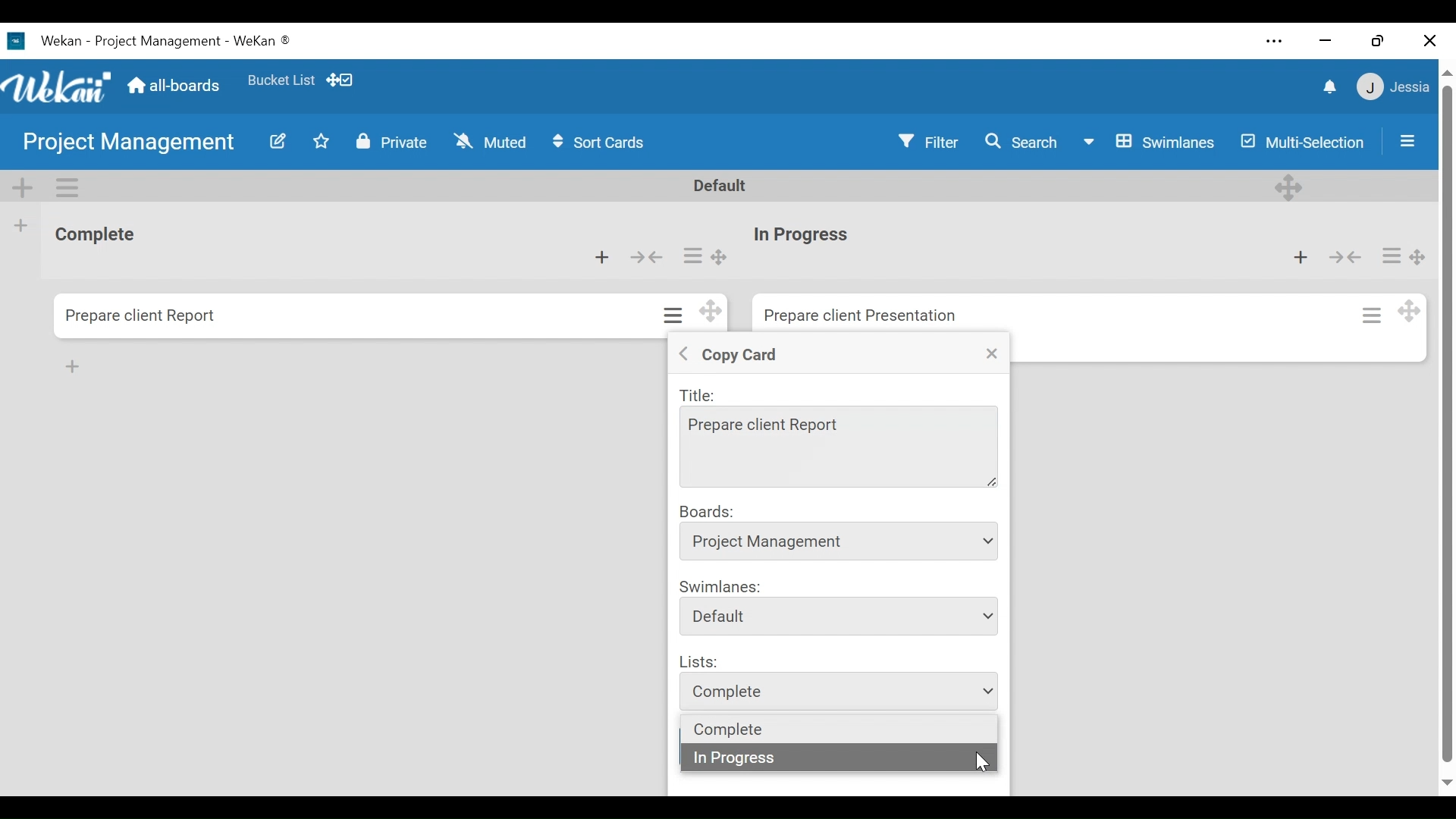  Describe the element at coordinates (69, 188) in the screenshot. I see `Swimlane Actions` at that location.